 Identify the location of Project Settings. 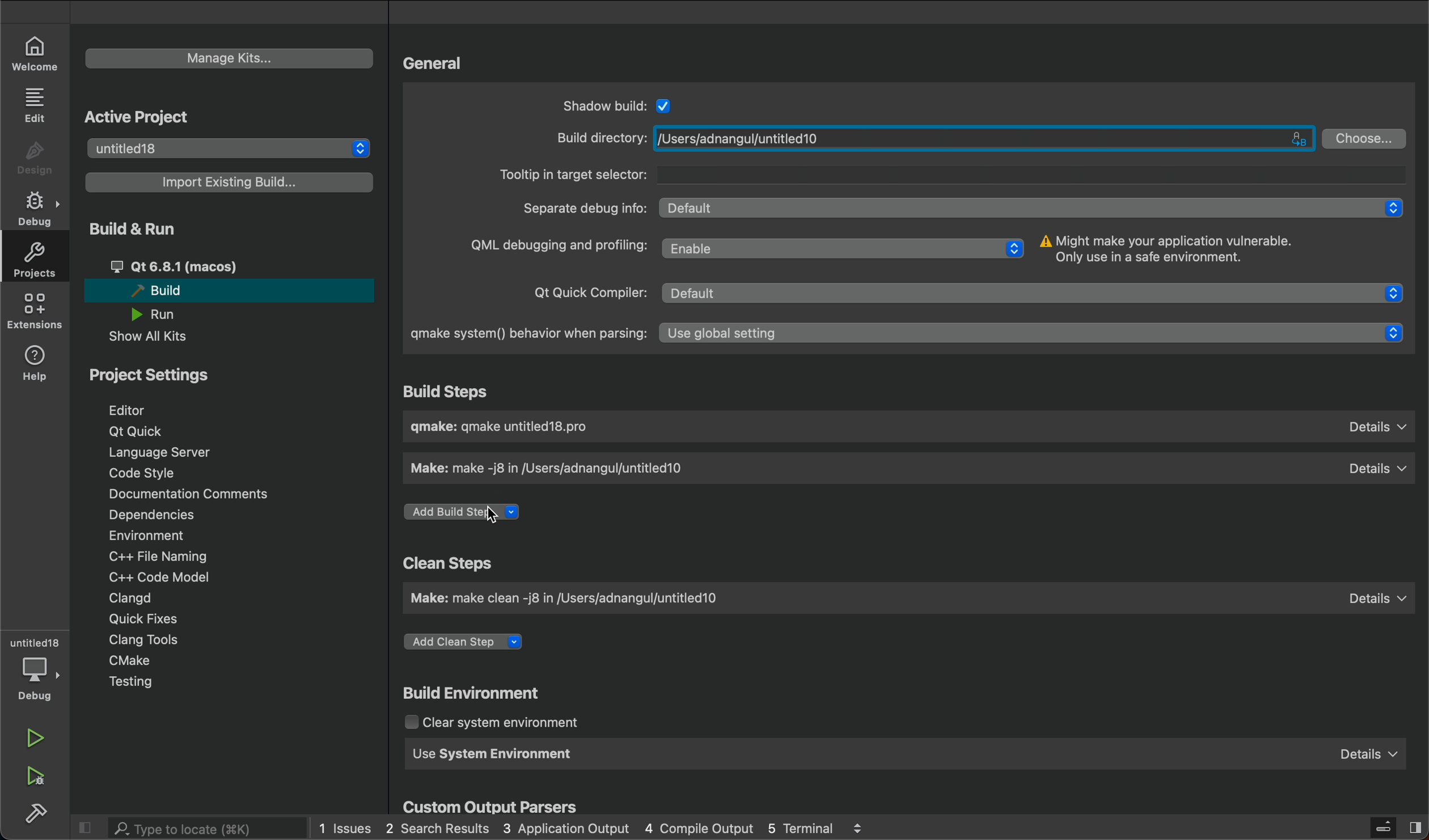
(151, 376).